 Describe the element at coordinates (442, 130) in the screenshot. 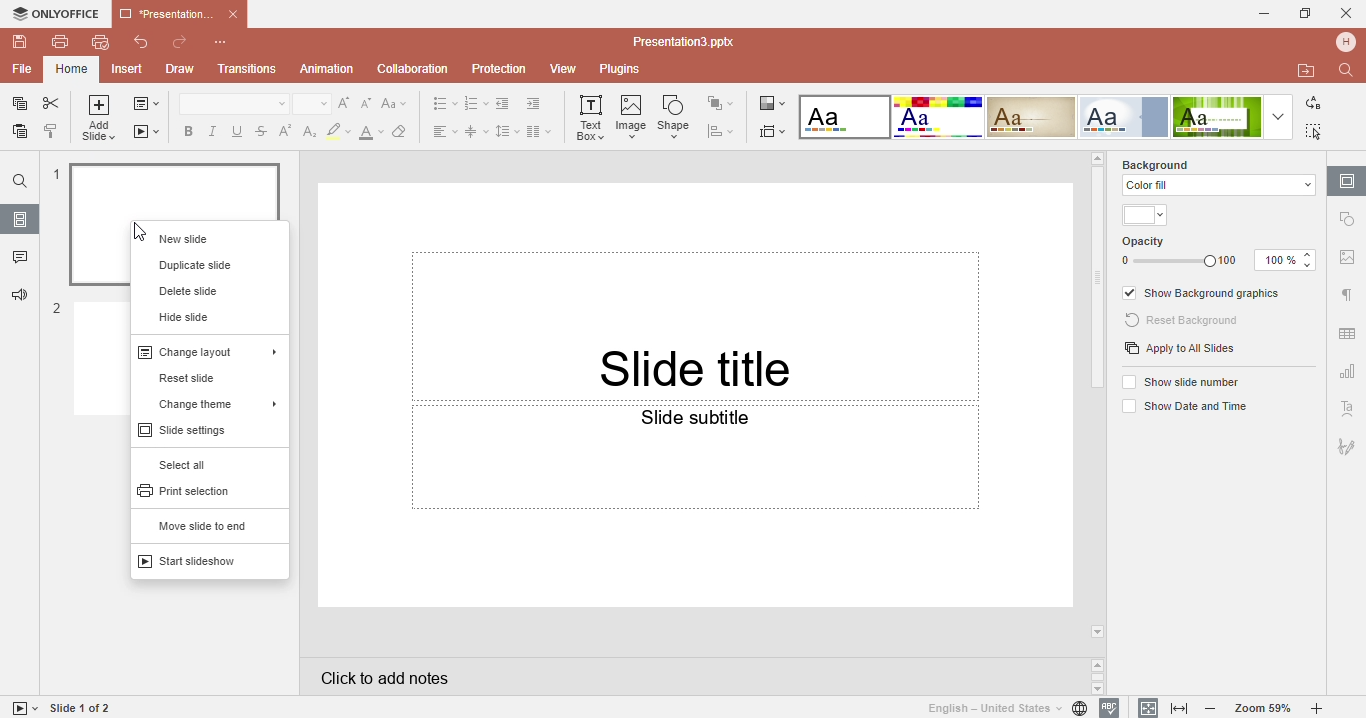

I see `Horizontal align` at that location.